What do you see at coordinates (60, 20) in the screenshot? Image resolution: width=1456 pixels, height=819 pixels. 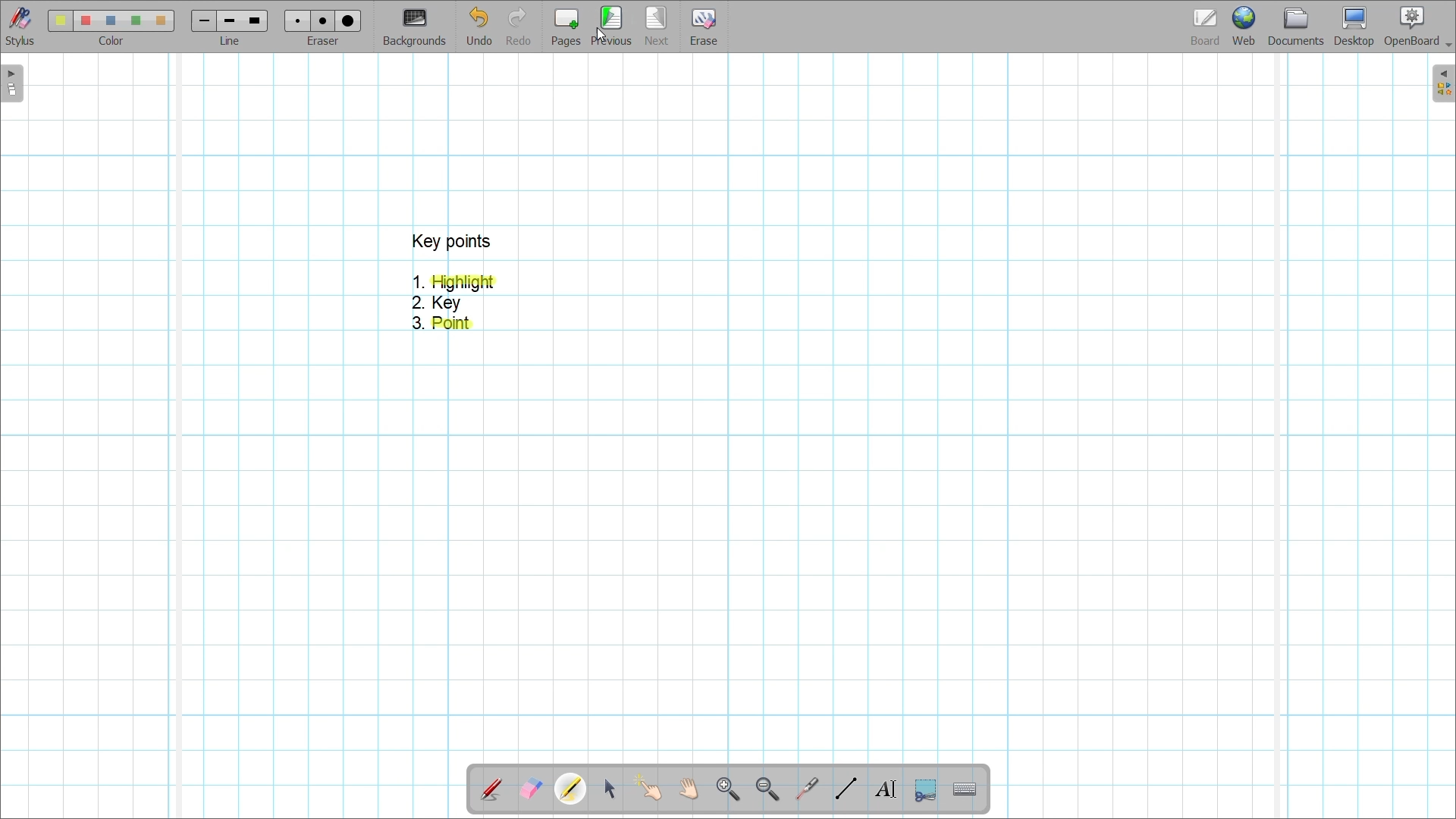 I see `Color 1` at bounding box center [60, 20].